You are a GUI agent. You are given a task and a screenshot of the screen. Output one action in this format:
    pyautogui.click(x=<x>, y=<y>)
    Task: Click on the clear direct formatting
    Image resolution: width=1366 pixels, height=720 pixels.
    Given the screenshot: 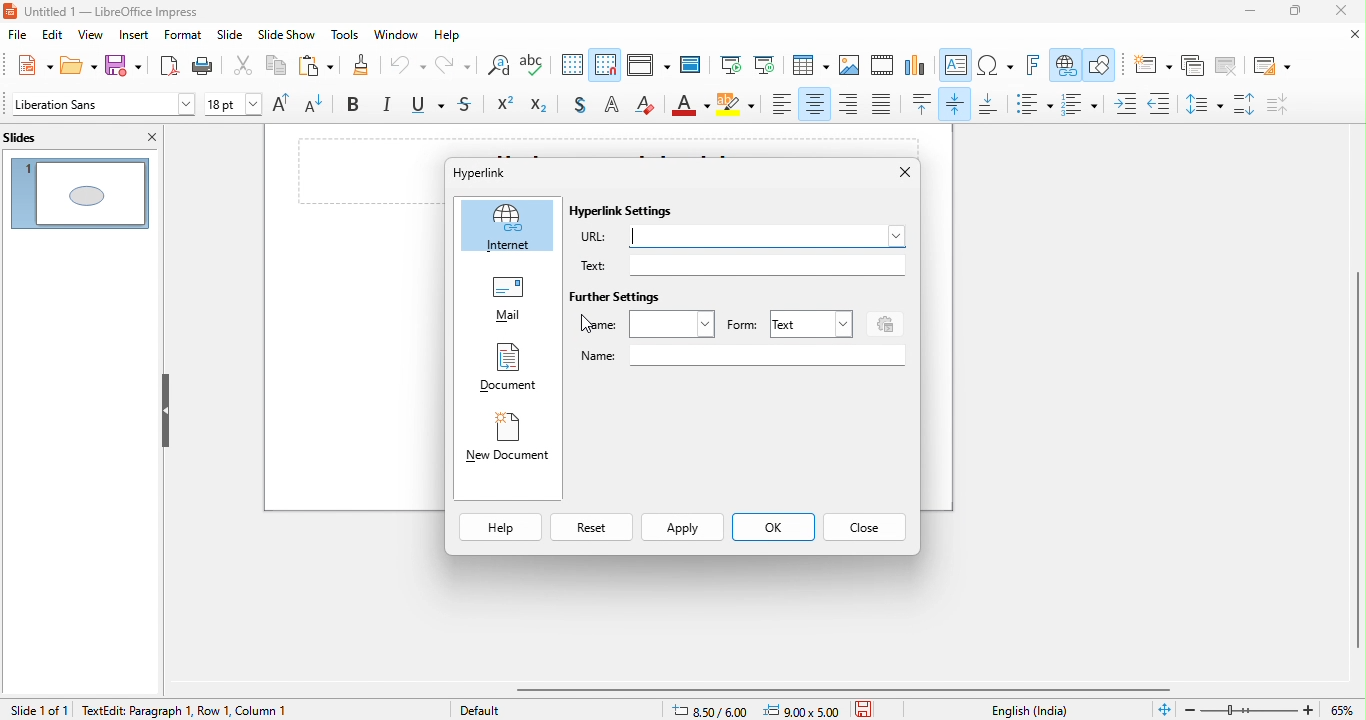 What is the action you would take?
    pyautogui.click(x=647, y=106)
    